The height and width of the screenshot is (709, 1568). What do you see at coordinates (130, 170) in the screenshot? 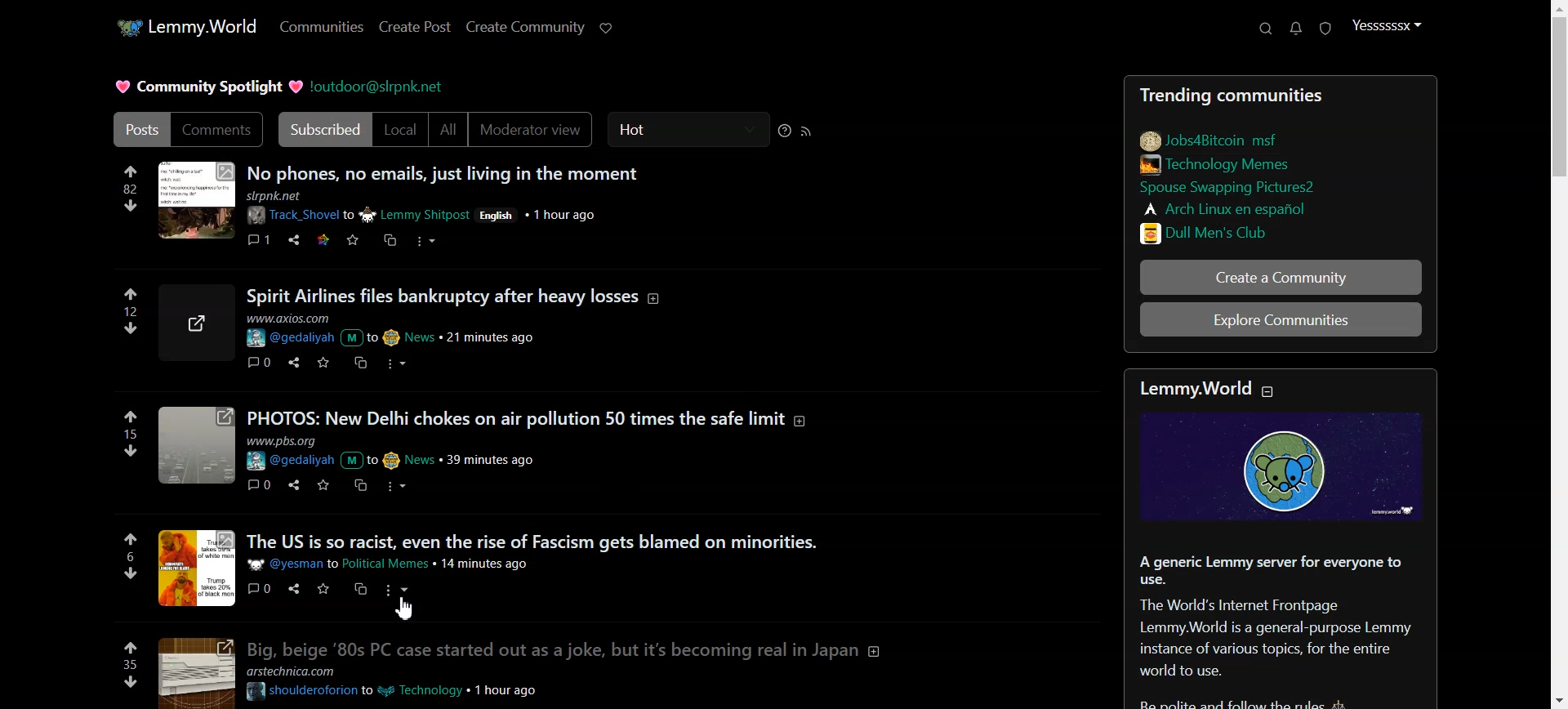
I see `upvote` at bounding box center [130, 170].